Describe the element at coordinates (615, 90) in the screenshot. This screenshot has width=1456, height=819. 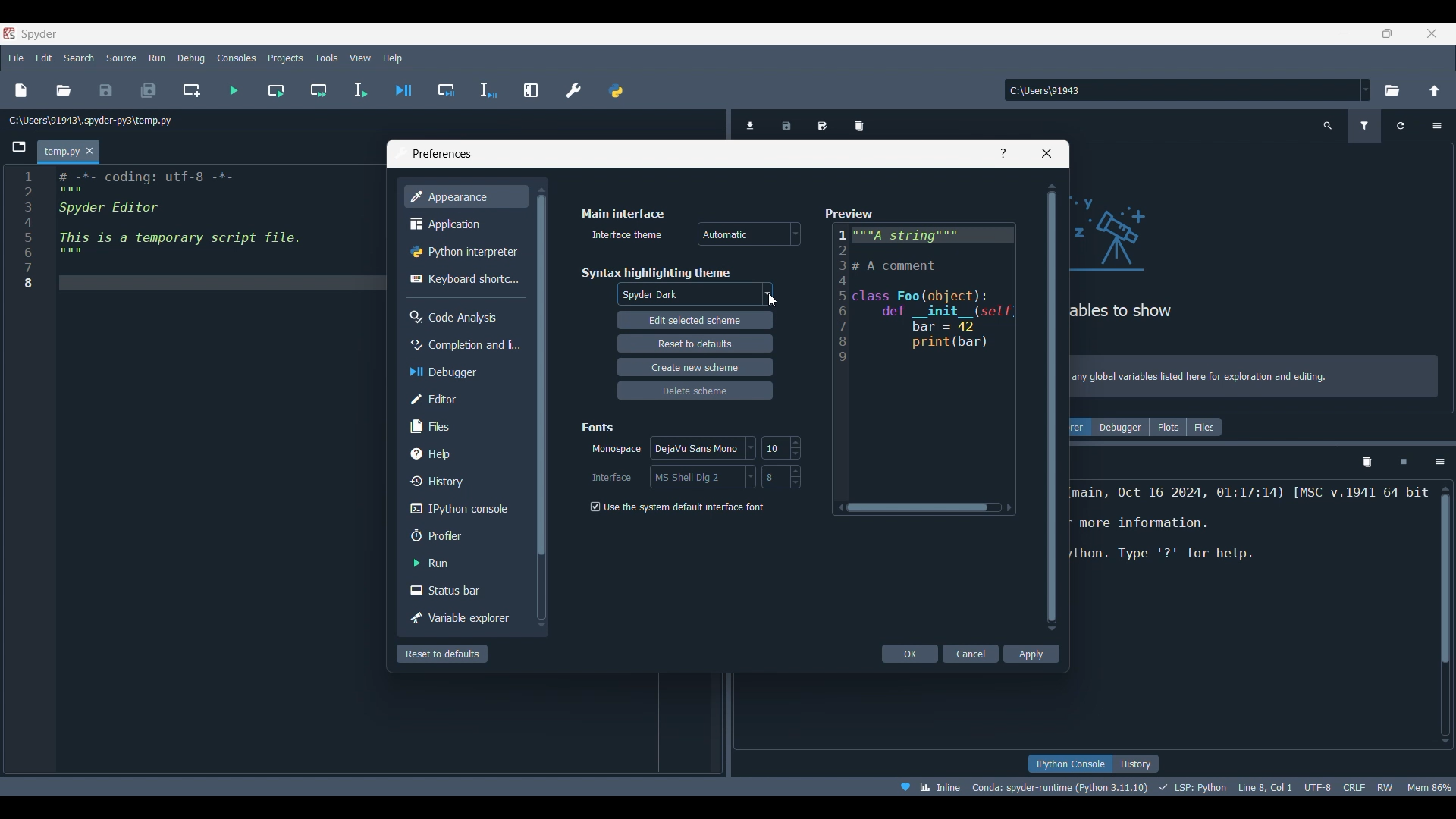
I see `PYTHONPATH manager` at that location.